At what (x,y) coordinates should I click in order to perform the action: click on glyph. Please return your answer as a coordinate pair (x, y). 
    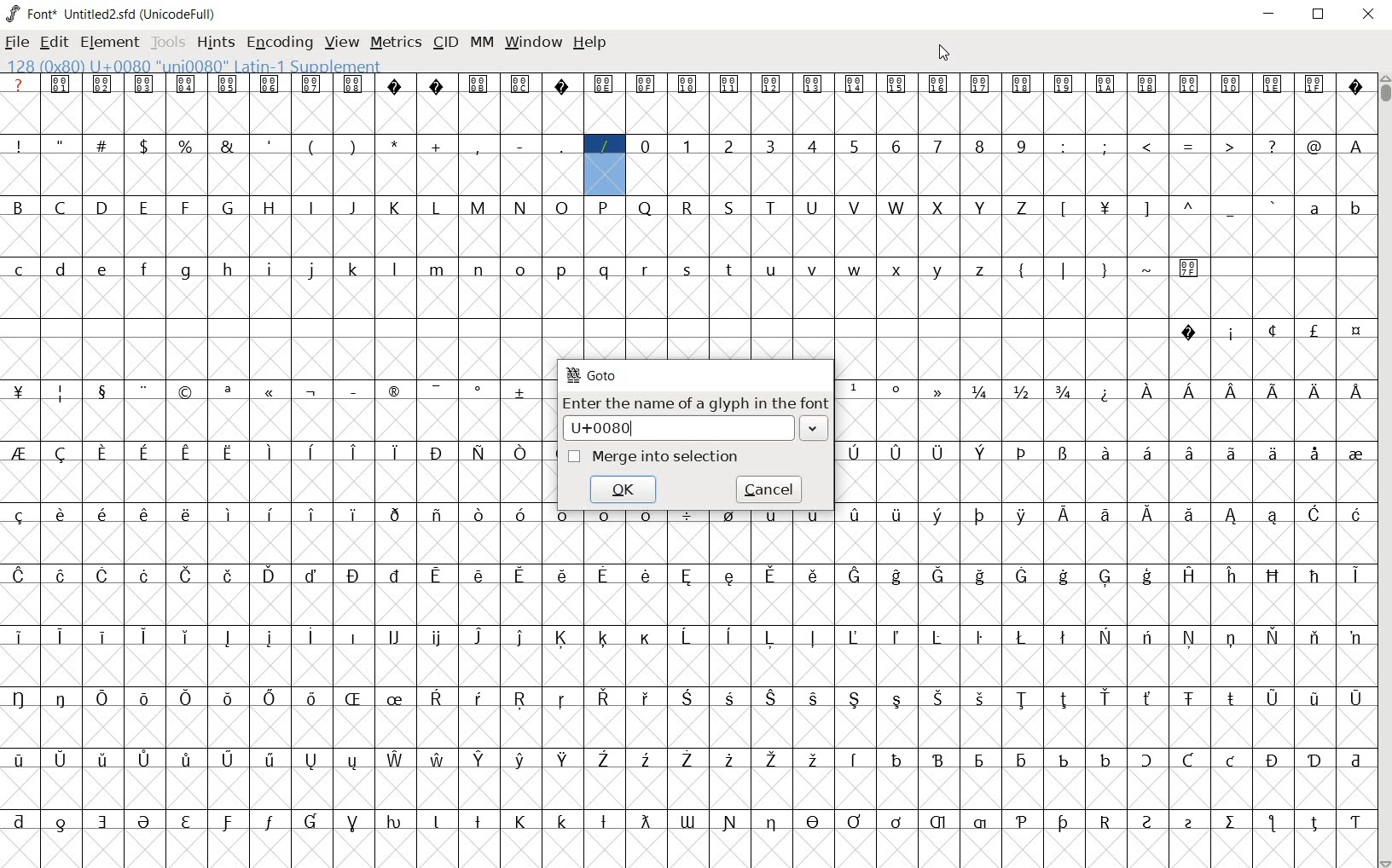
    Looking at the image, I should click on (229, 269).